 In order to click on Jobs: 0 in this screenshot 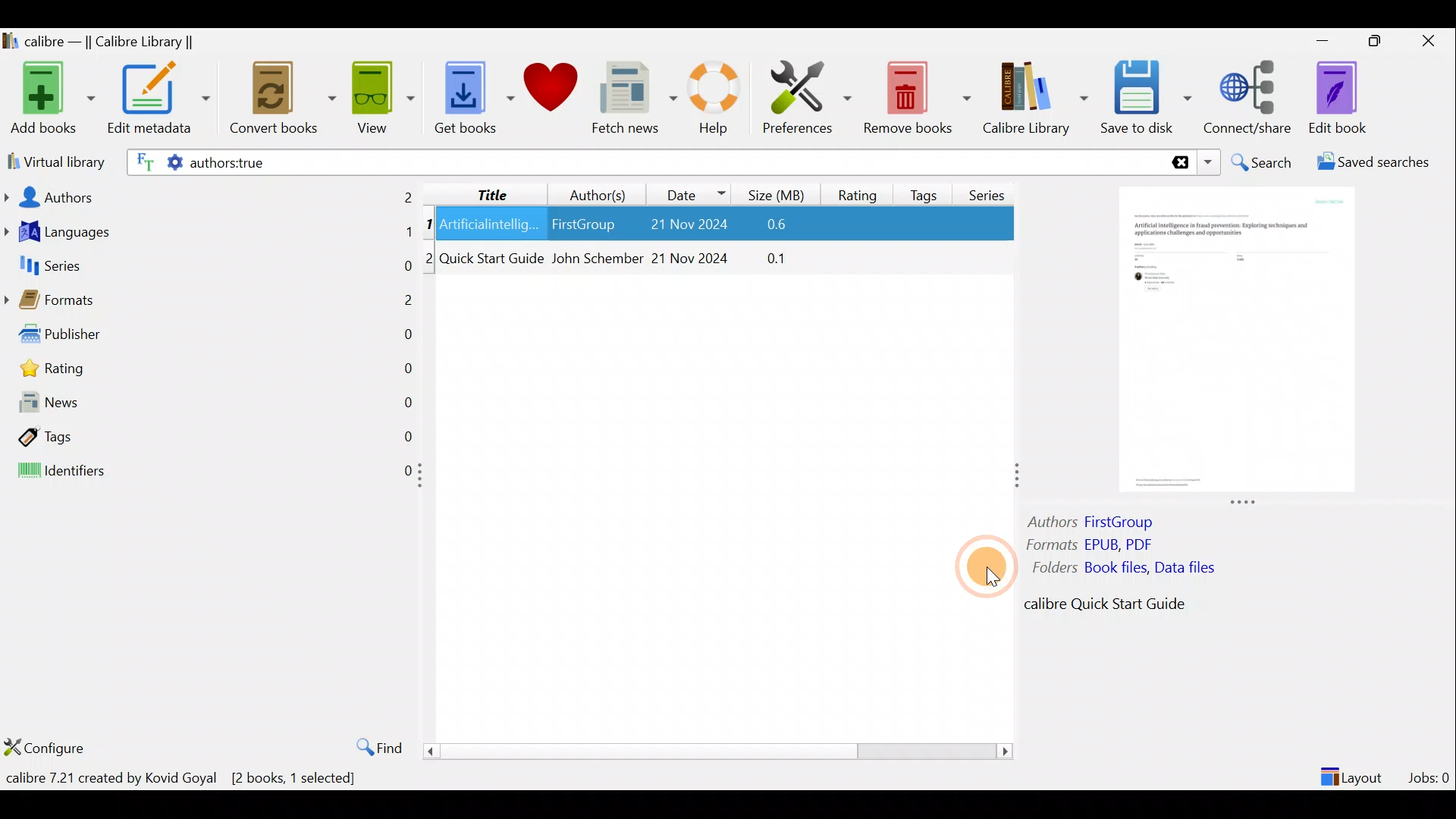, I will do `click(1430, 773)`.